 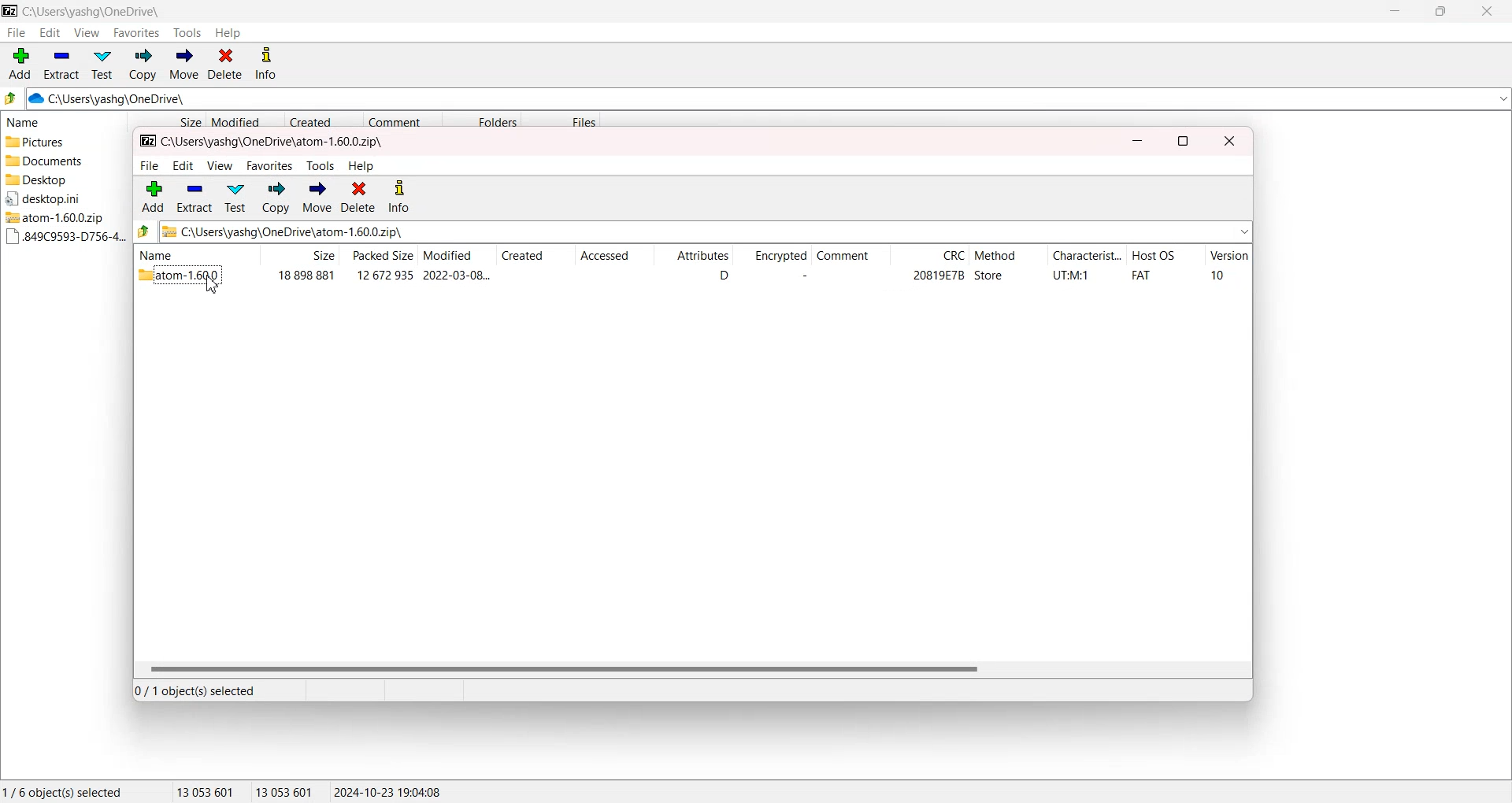 What do you see at coordinates (1217, 275) in the screenshot?
I see `10` at bounding box center [1217, 275].